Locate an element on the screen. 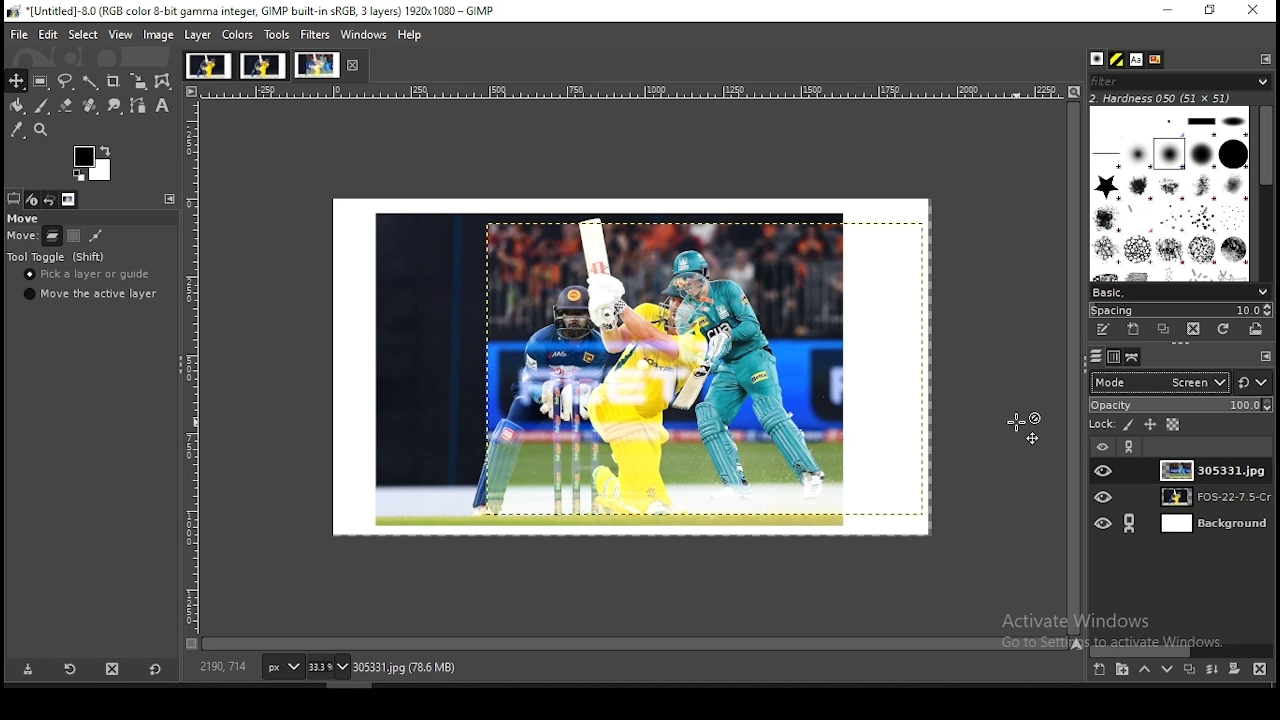  free selection tool is located at coordinates (67, 80).